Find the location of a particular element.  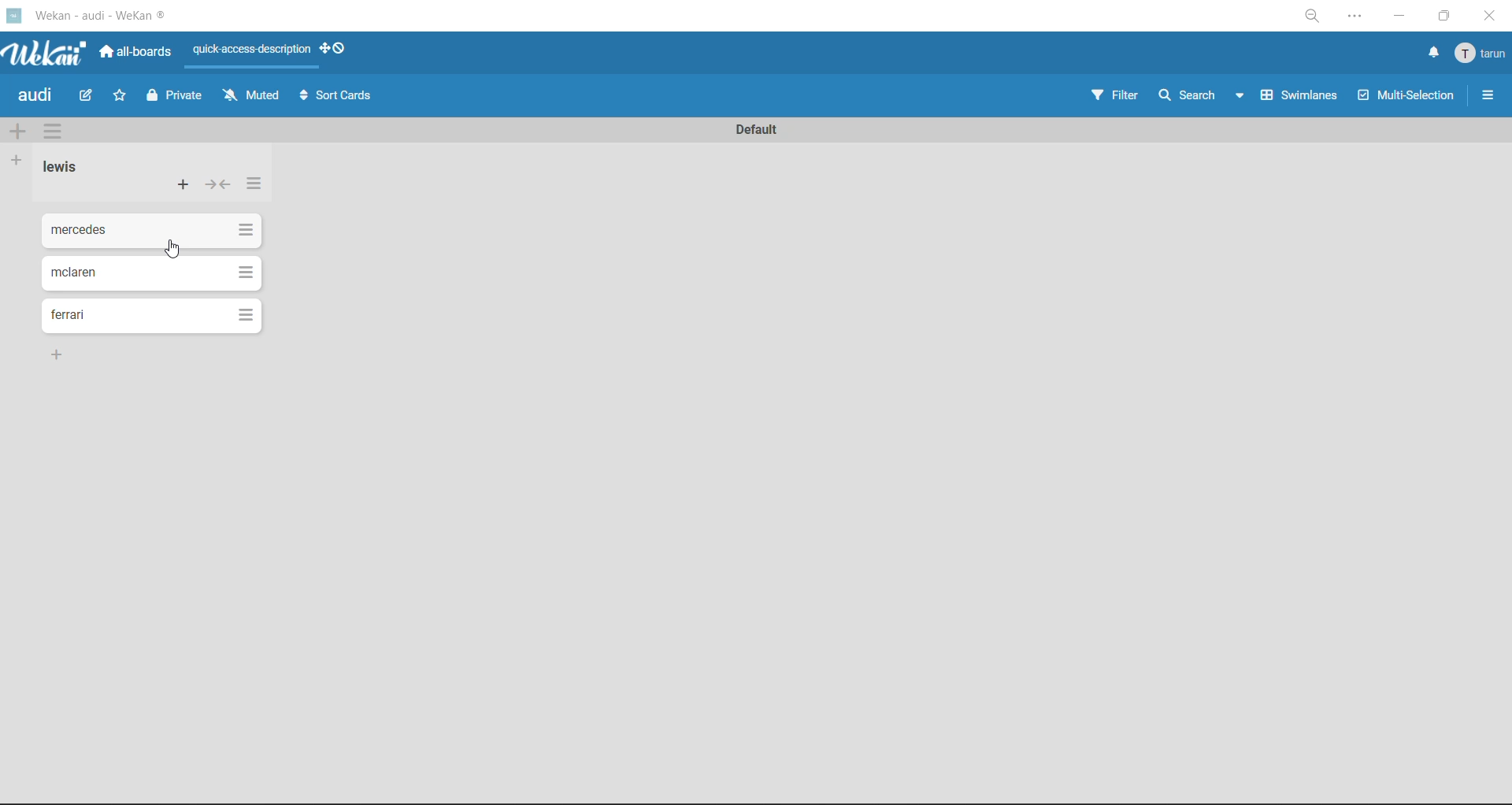

add list is located at coordinates (17, 161).